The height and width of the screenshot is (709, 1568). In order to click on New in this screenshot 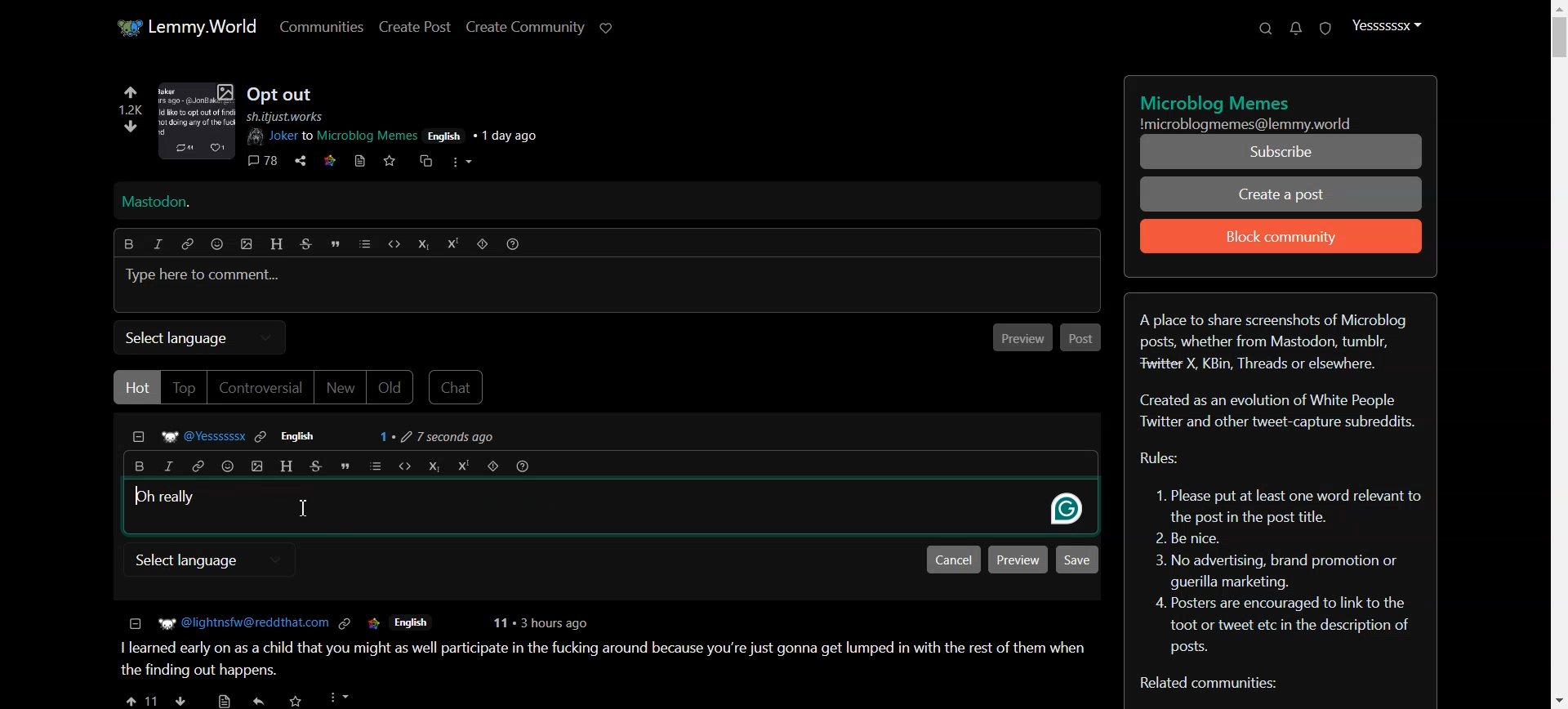, I will do `click(341, 388)`.